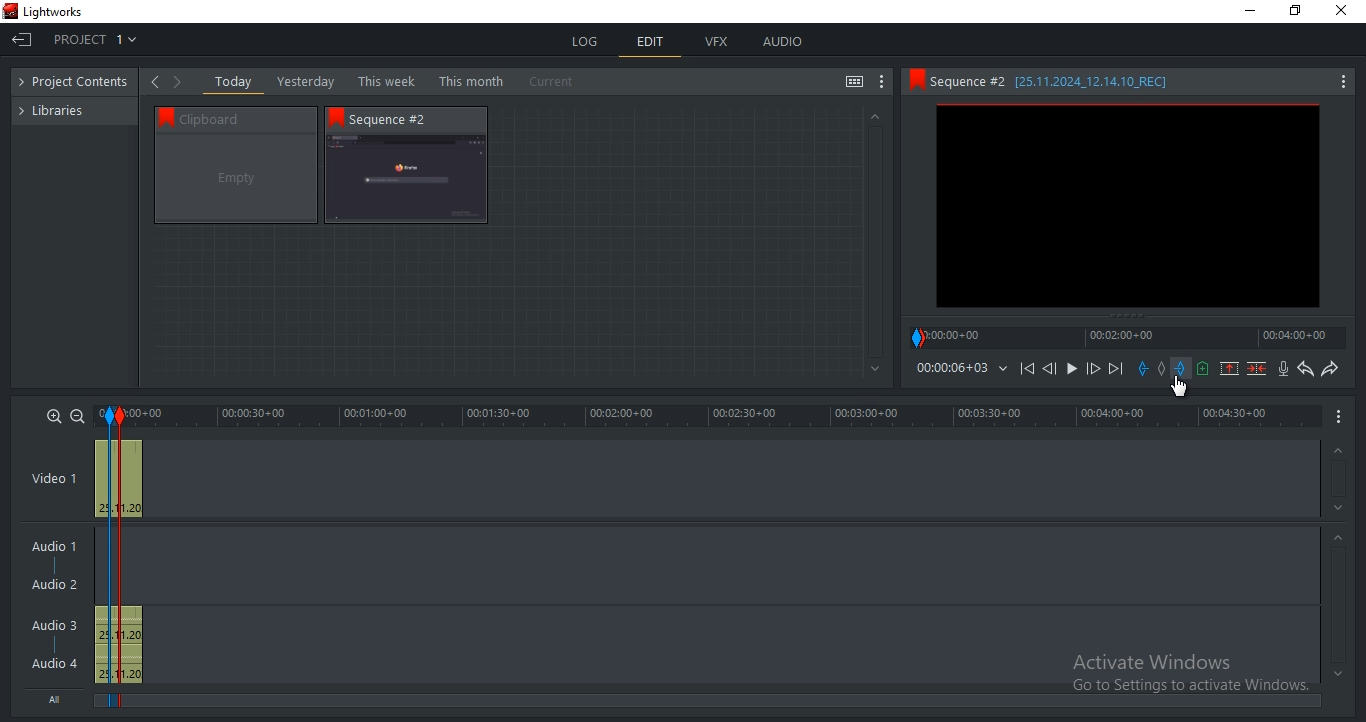 This screenshot has width=1366, height=722. What do you see at coordinates (587, 41) in the screenshot?
I see `log` at bounding box center [587, 41].